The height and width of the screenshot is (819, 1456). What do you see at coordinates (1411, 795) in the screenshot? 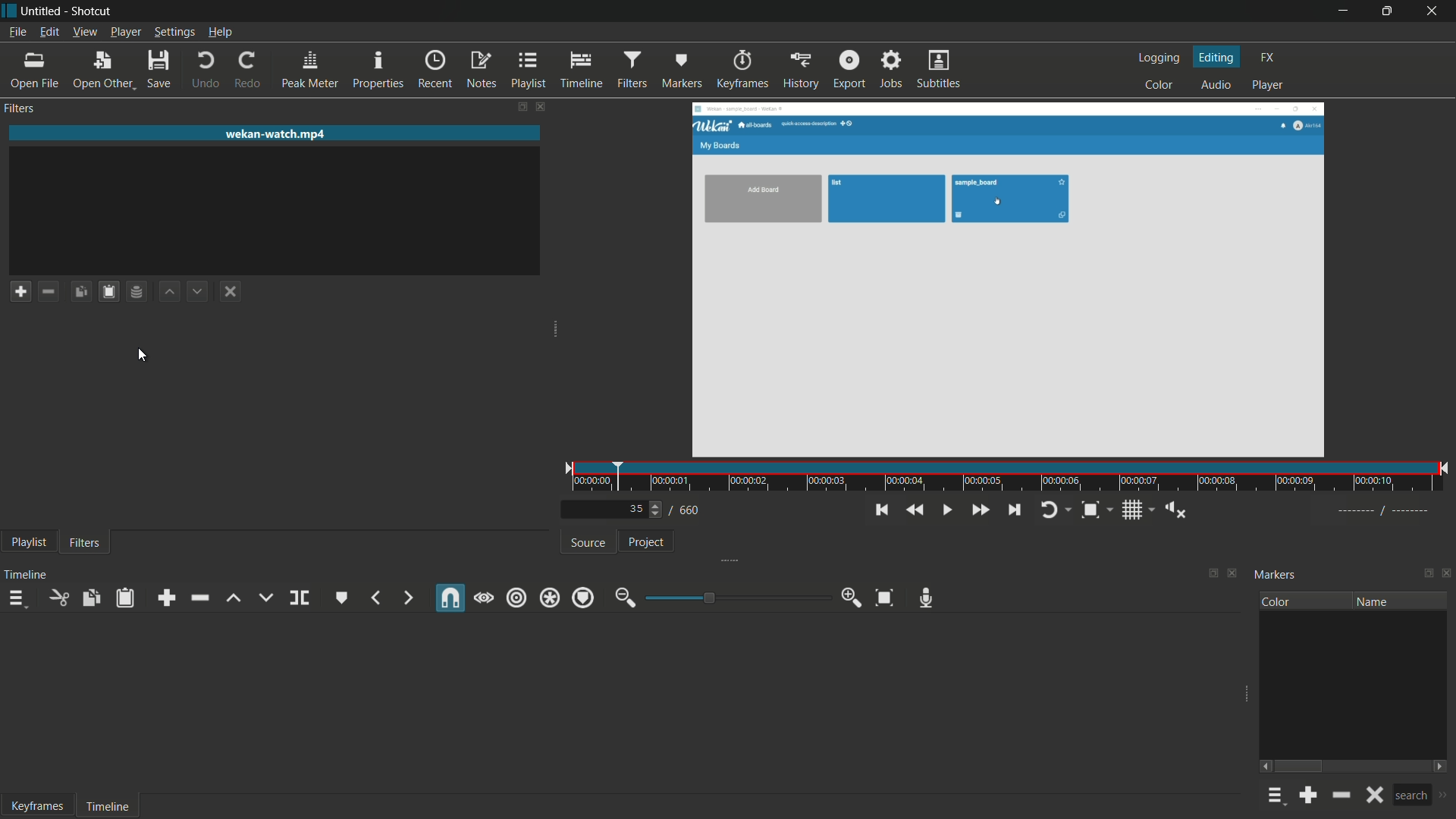
I see `search` at bounding box center [1411, 795].